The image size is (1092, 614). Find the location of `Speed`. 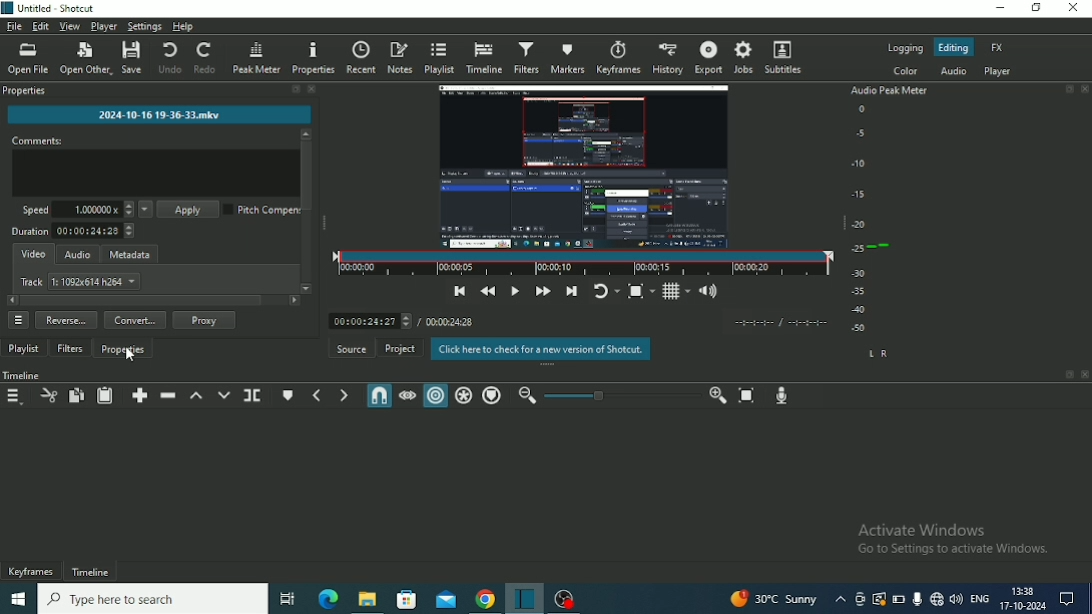

Speed is located at coordinates (116, 208).